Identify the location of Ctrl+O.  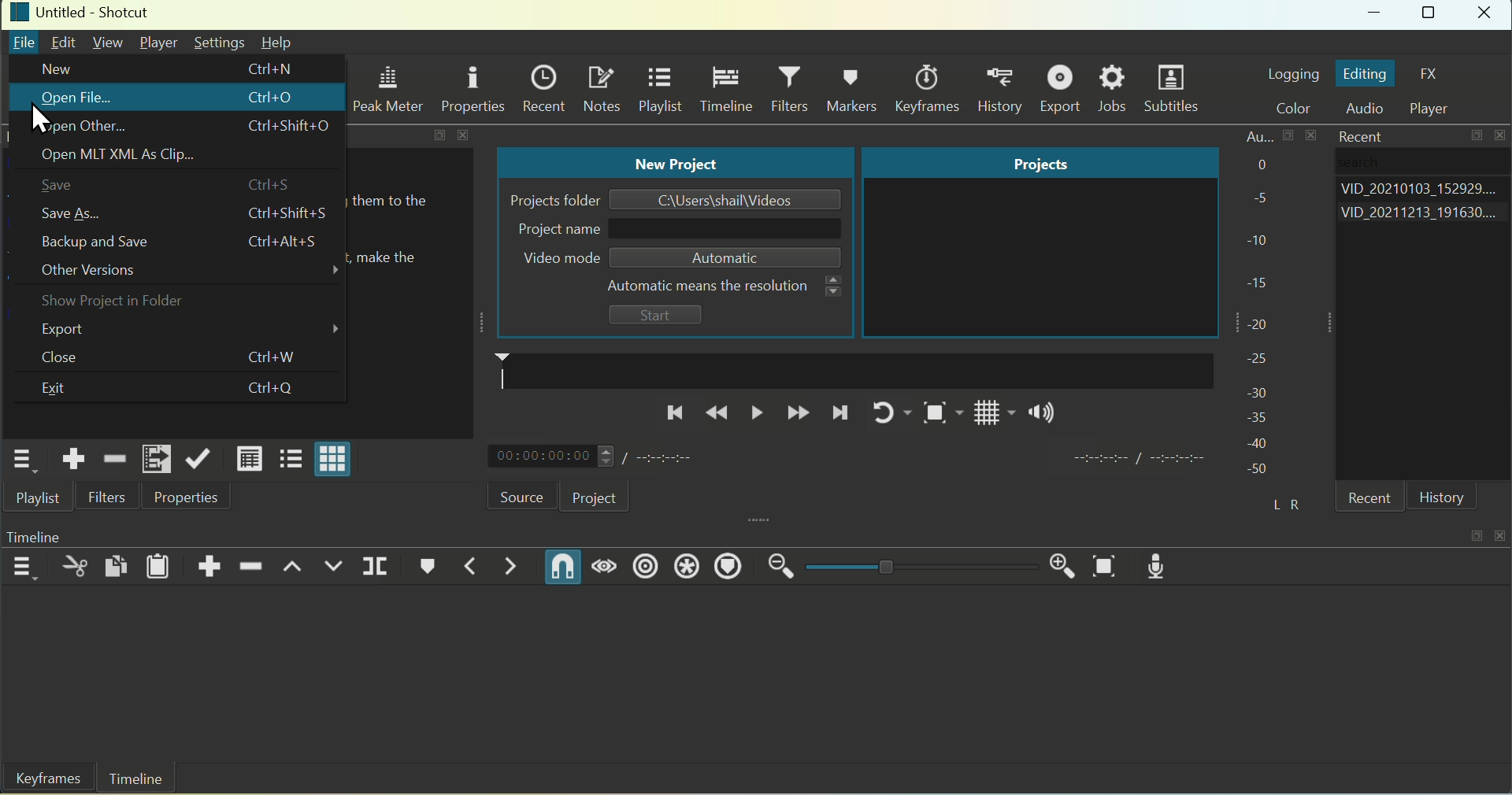
(281, 97).